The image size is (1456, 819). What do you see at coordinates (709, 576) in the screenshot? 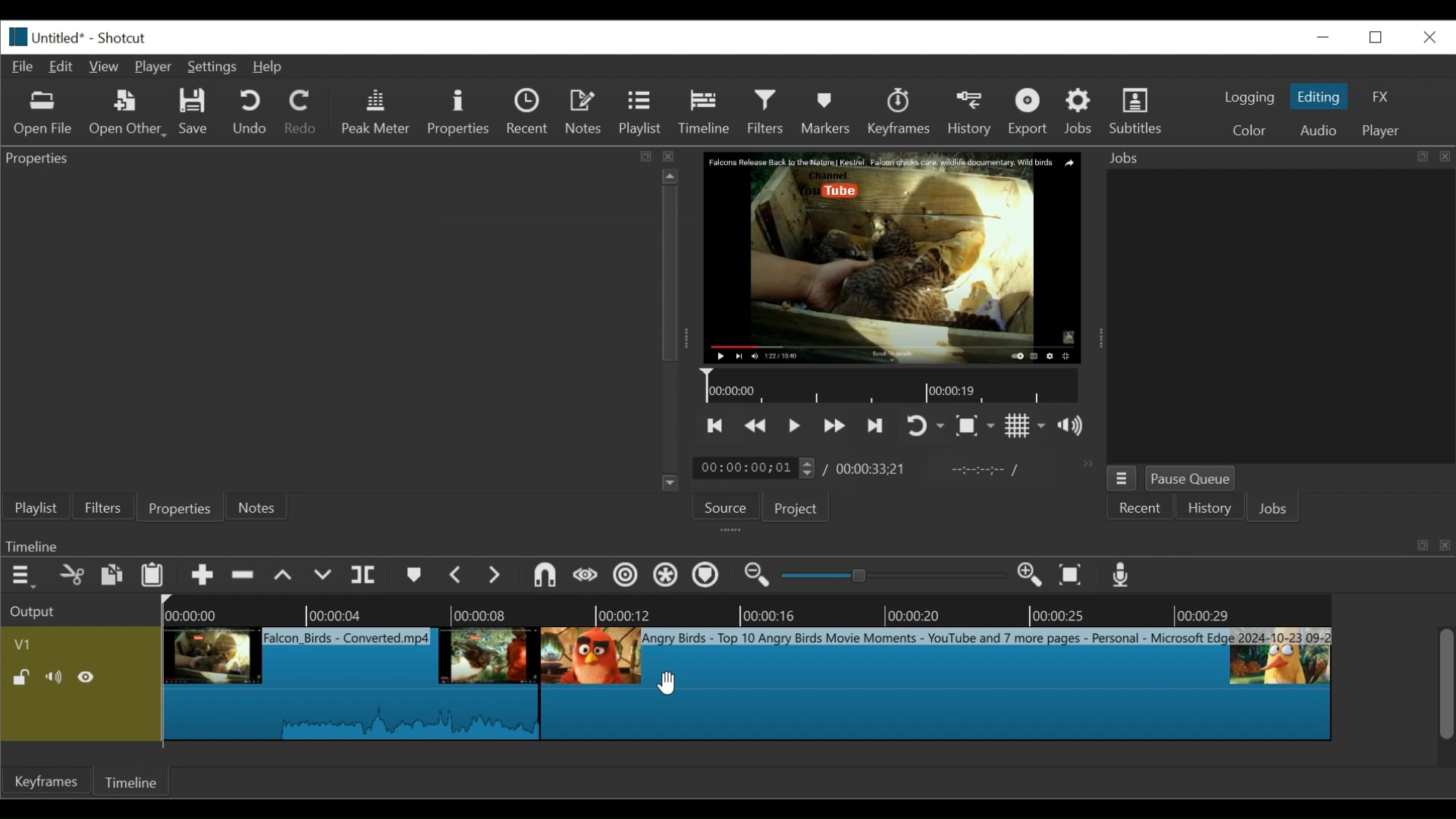
I see `Ripple Markers` at bounding box center [709, 576].